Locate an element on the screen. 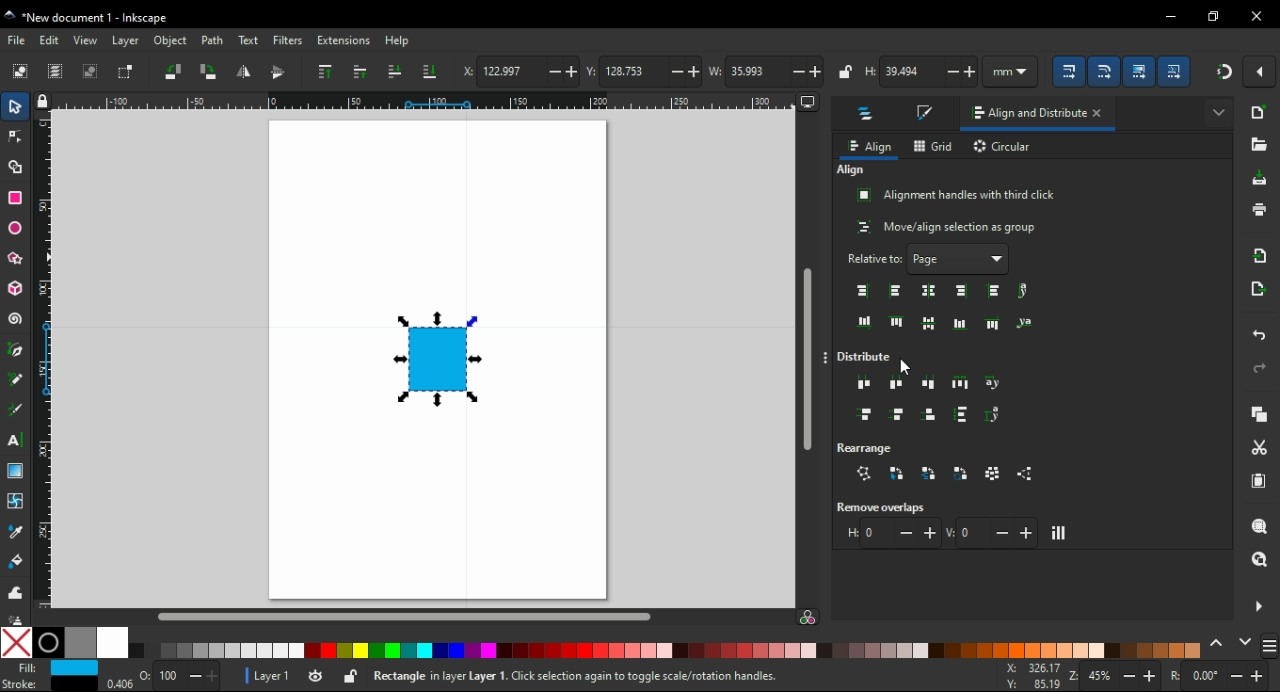  rotate object 90 CCW is located at coordinates (172, 71).